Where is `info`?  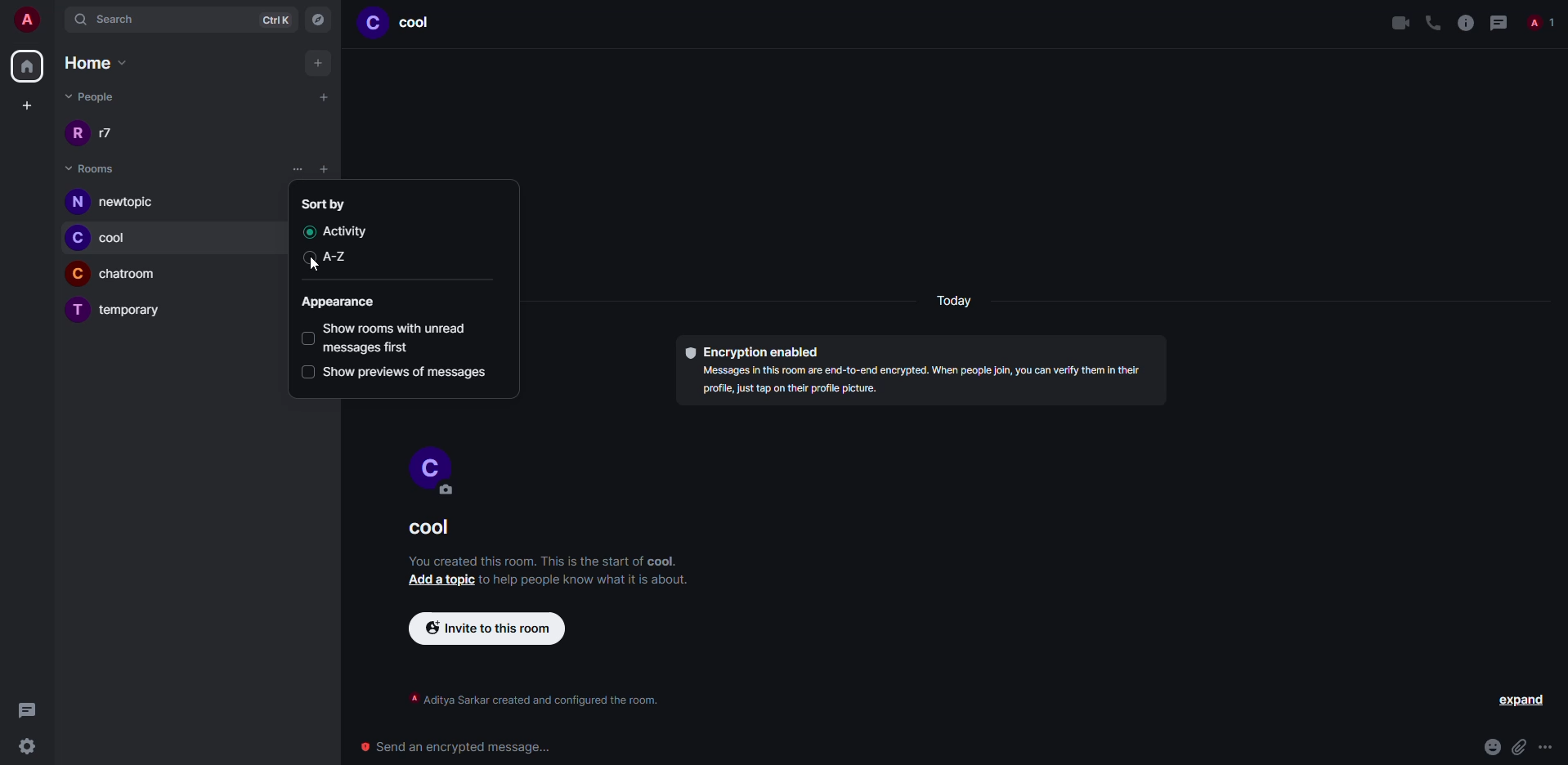 info is located at coordinates (540, 696).